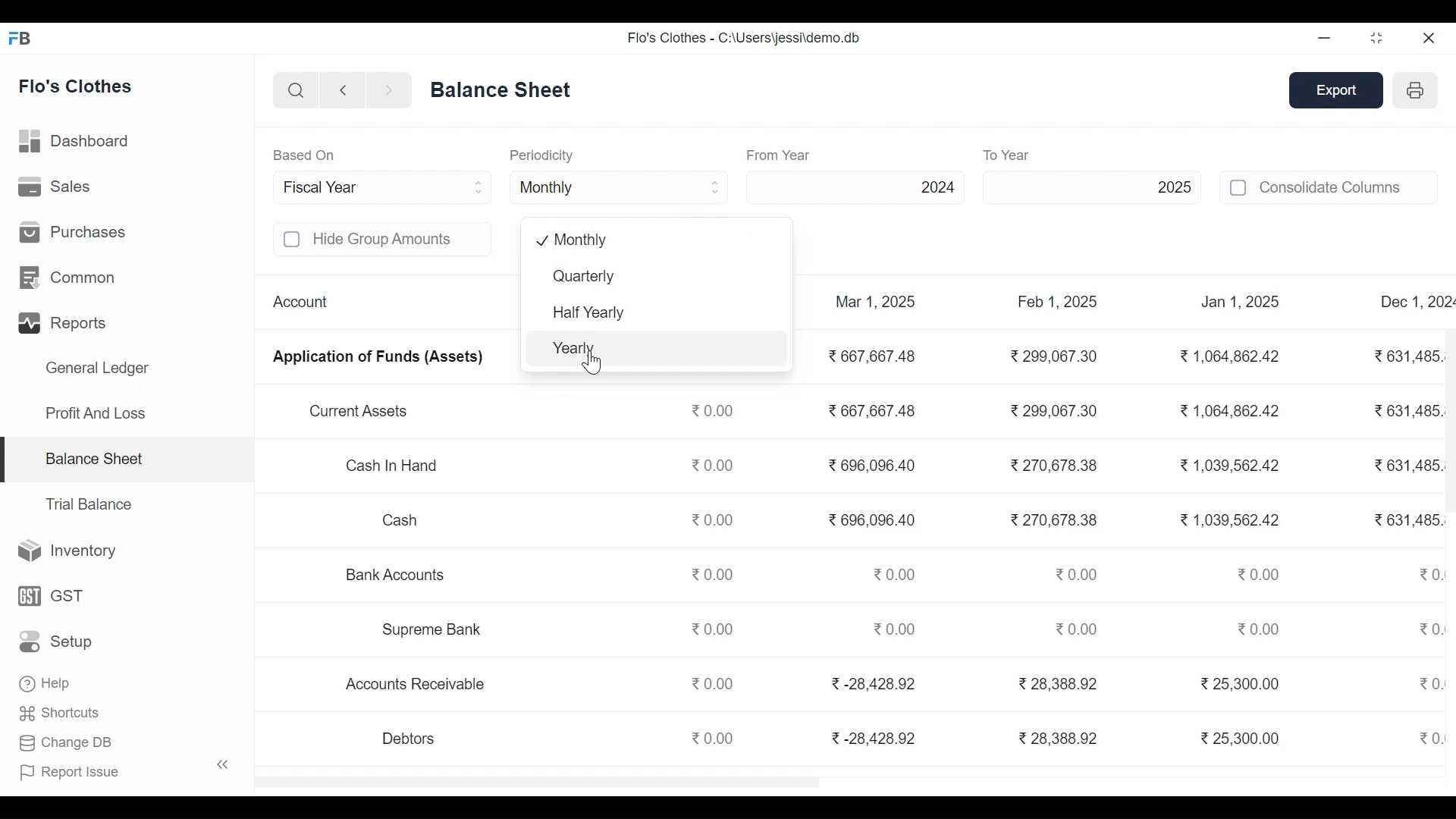  Describe the element at coordinates (385, 187) in the screenshot. I see `fiscal year` at that location.